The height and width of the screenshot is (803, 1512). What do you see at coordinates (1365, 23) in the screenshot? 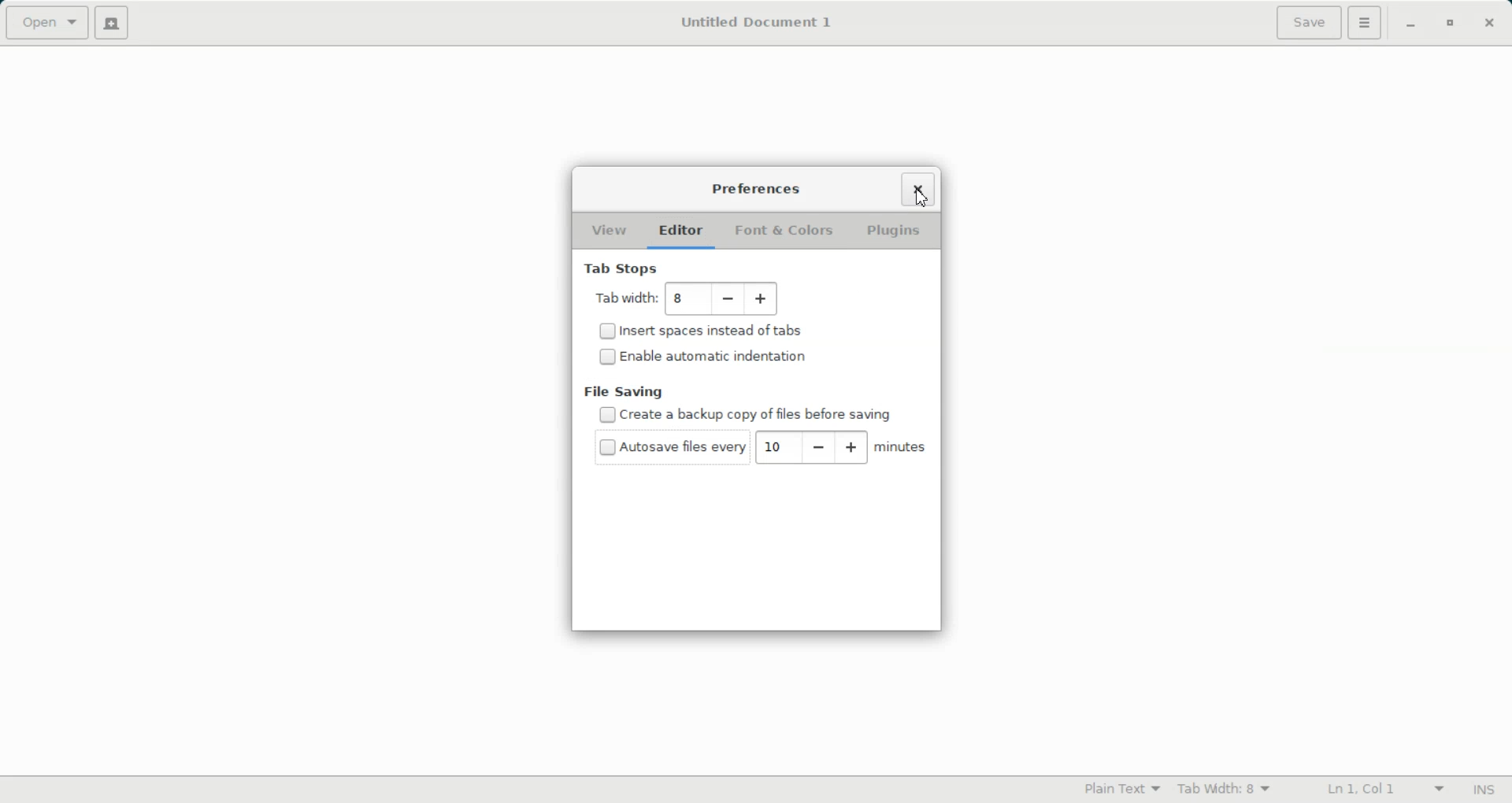
I see `Hamburger setting` at bounding box center [1365, 23].